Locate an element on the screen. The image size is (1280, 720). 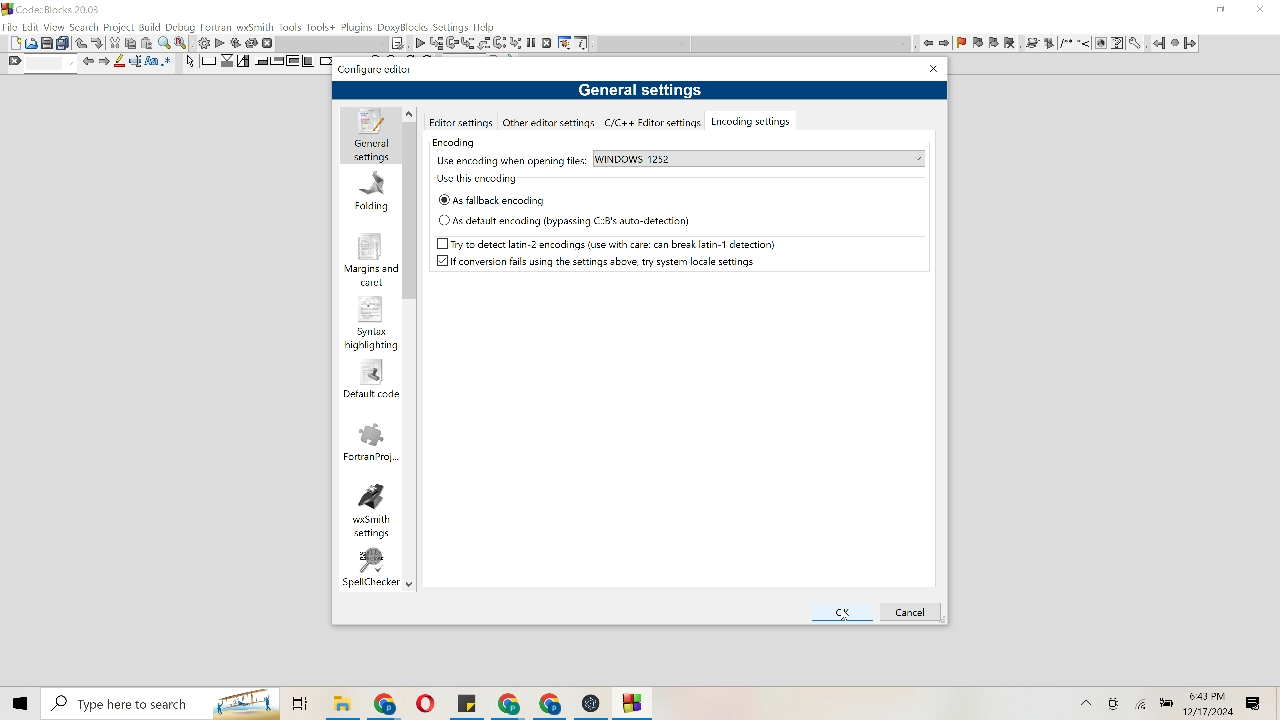
Move right is located at coordinates (105, 61).